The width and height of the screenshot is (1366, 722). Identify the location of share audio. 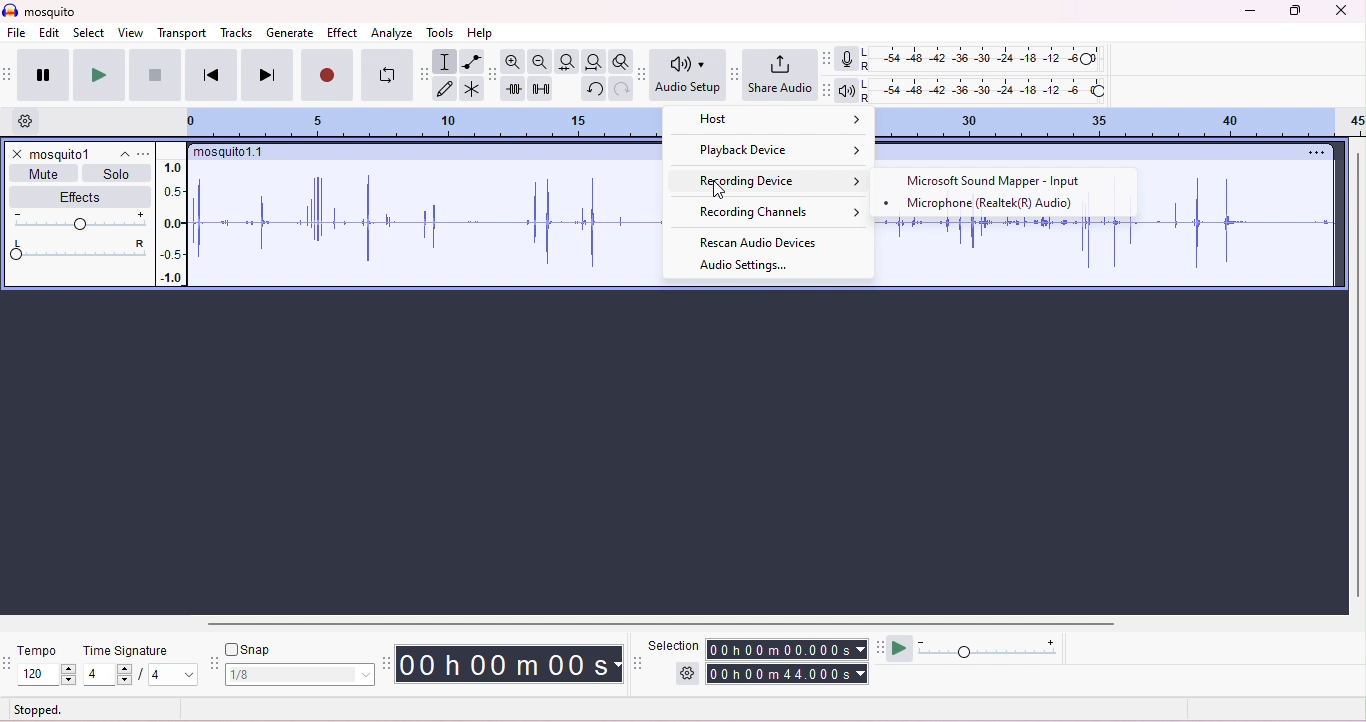
(779, 73).